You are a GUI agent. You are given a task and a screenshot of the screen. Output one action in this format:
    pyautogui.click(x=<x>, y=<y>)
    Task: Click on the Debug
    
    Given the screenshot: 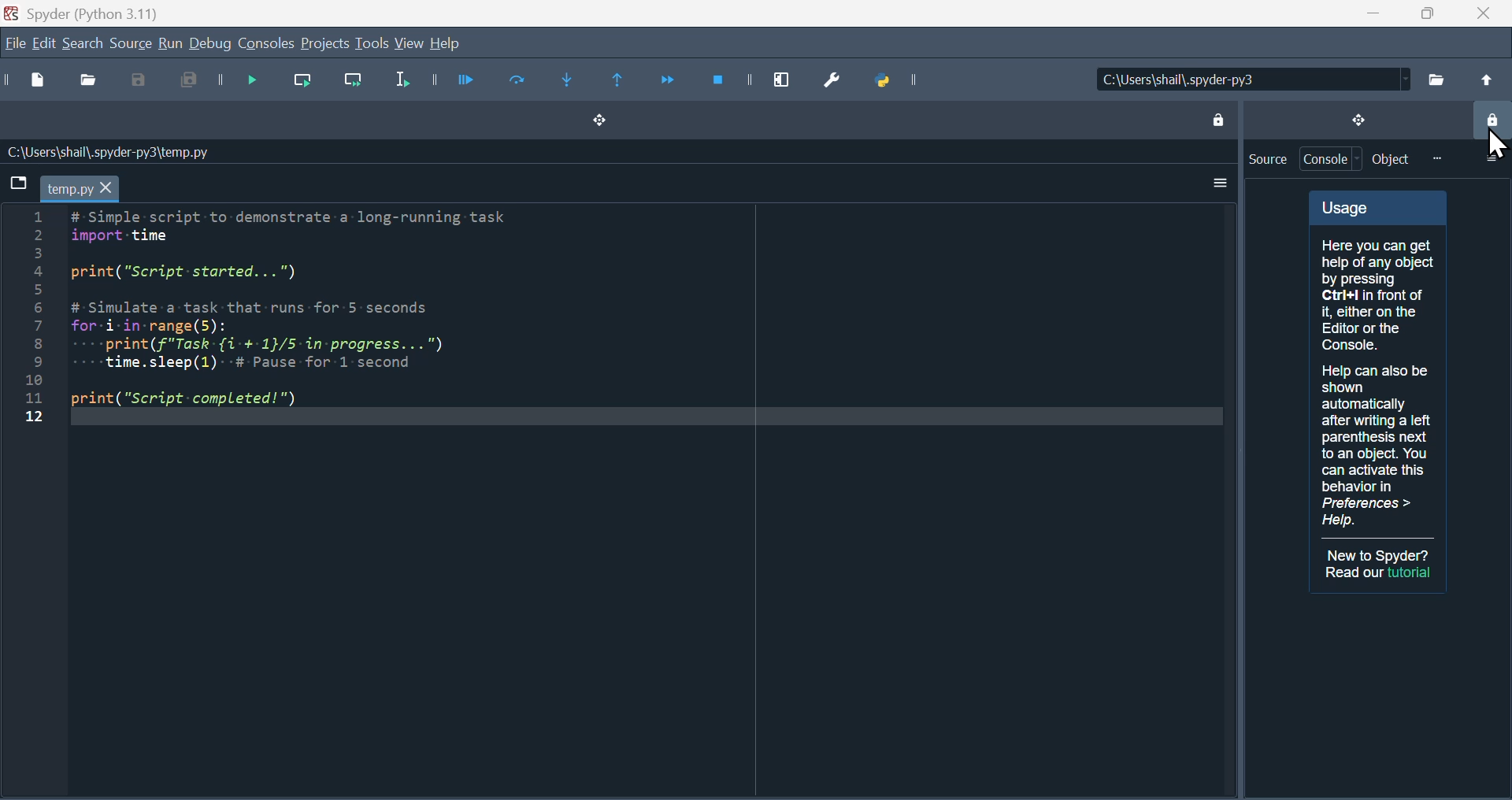 What is the action you would take?
    pyautogui.click(x=211, y=45)
    